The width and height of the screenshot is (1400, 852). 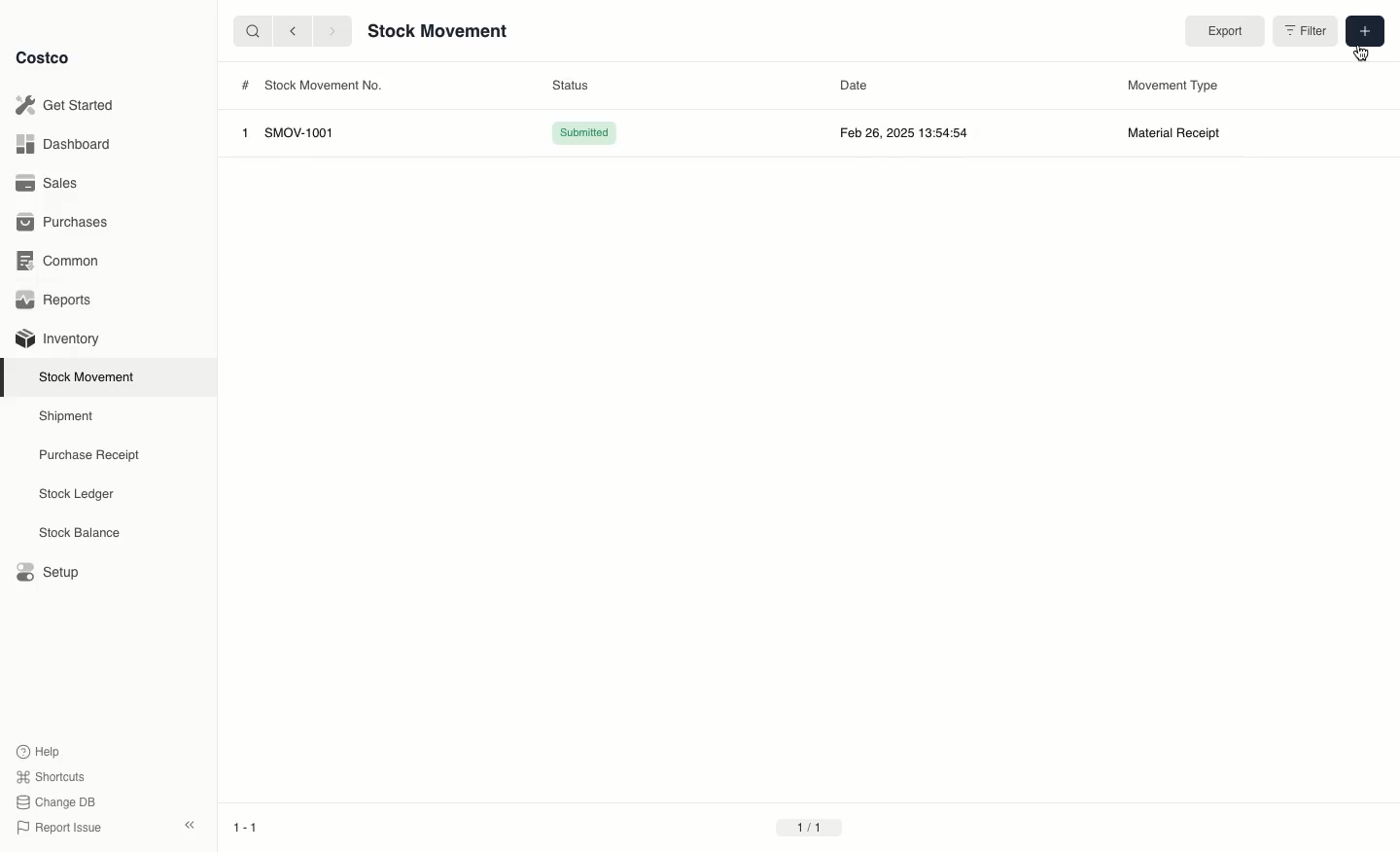 What do you see at coordinates (809, 826) in the screenshot?
I see `1/1` at bounding box center [809, 826].